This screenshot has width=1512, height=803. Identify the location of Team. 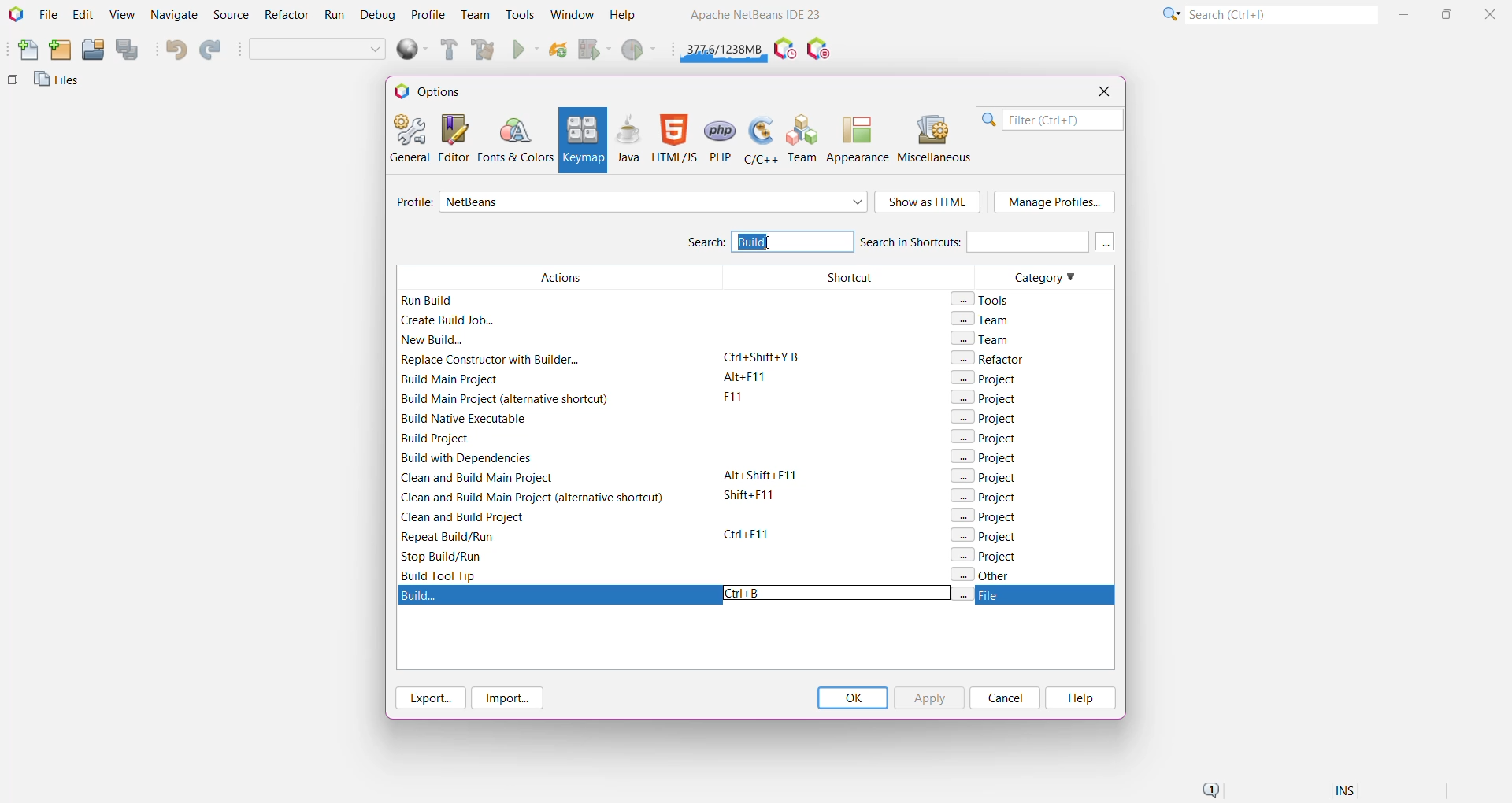
(803, 139).